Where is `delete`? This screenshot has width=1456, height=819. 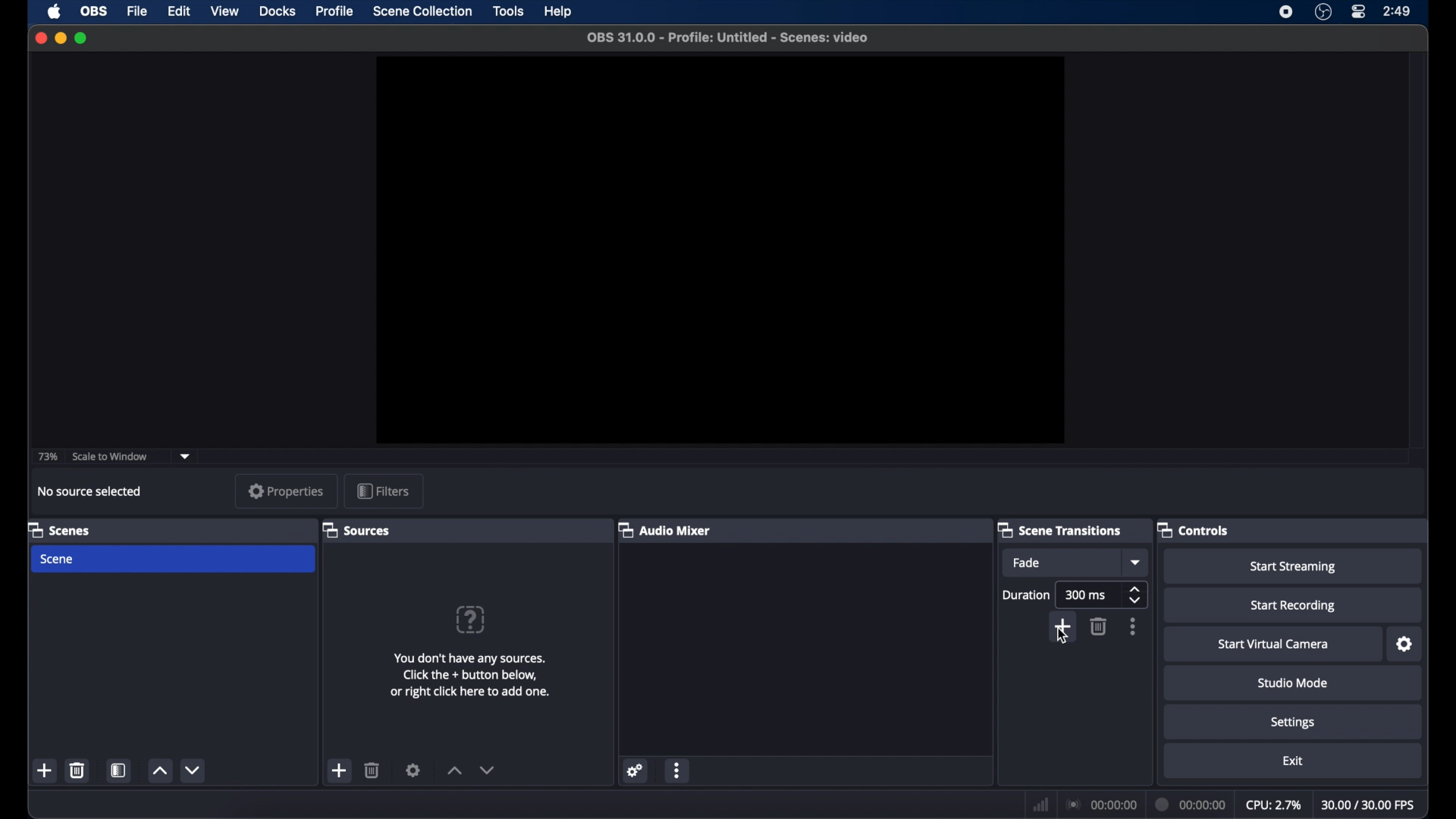 delete is located at coordinates (1100, 626).